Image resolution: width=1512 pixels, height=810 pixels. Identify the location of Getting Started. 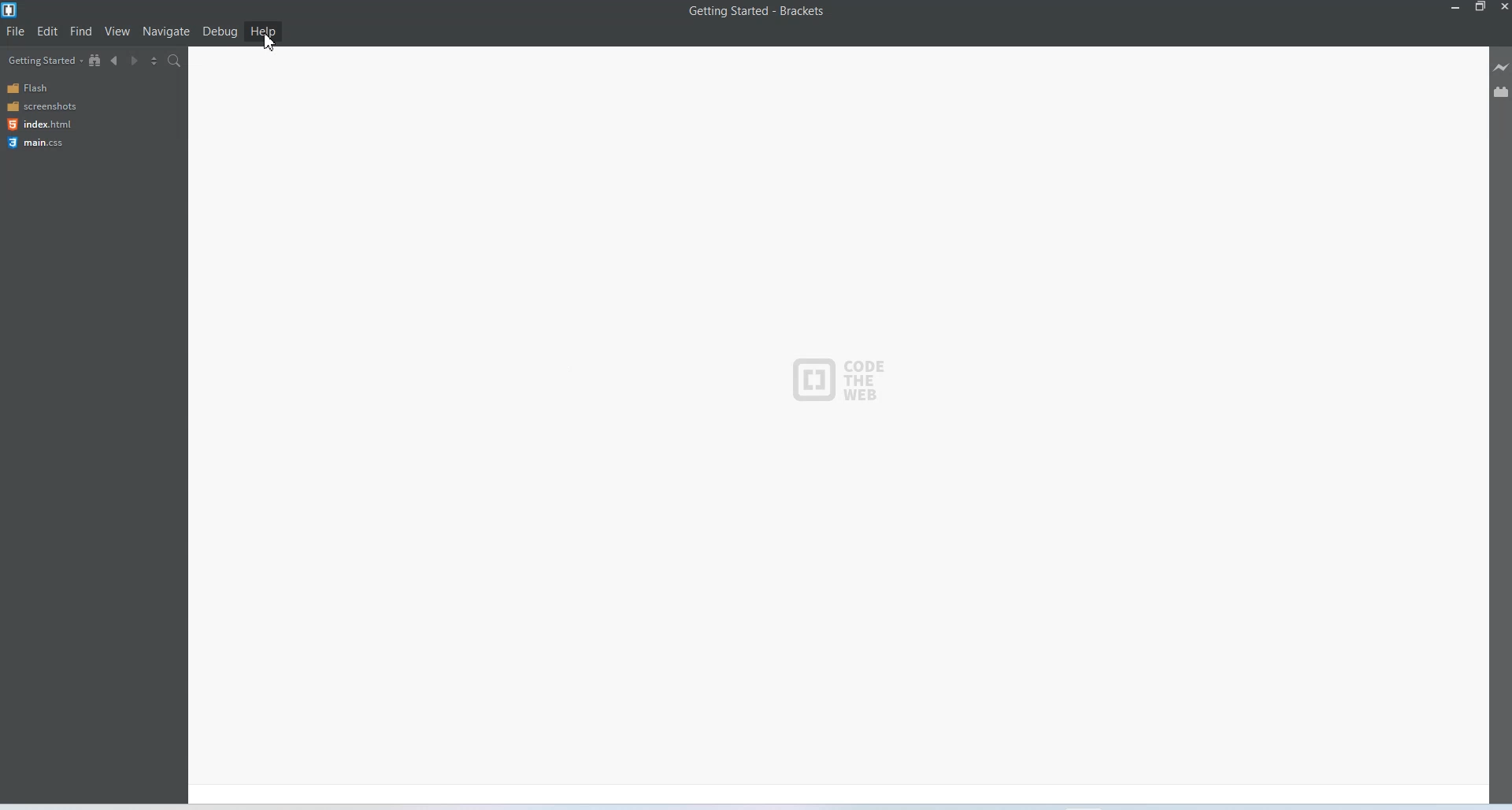
(43, 61).